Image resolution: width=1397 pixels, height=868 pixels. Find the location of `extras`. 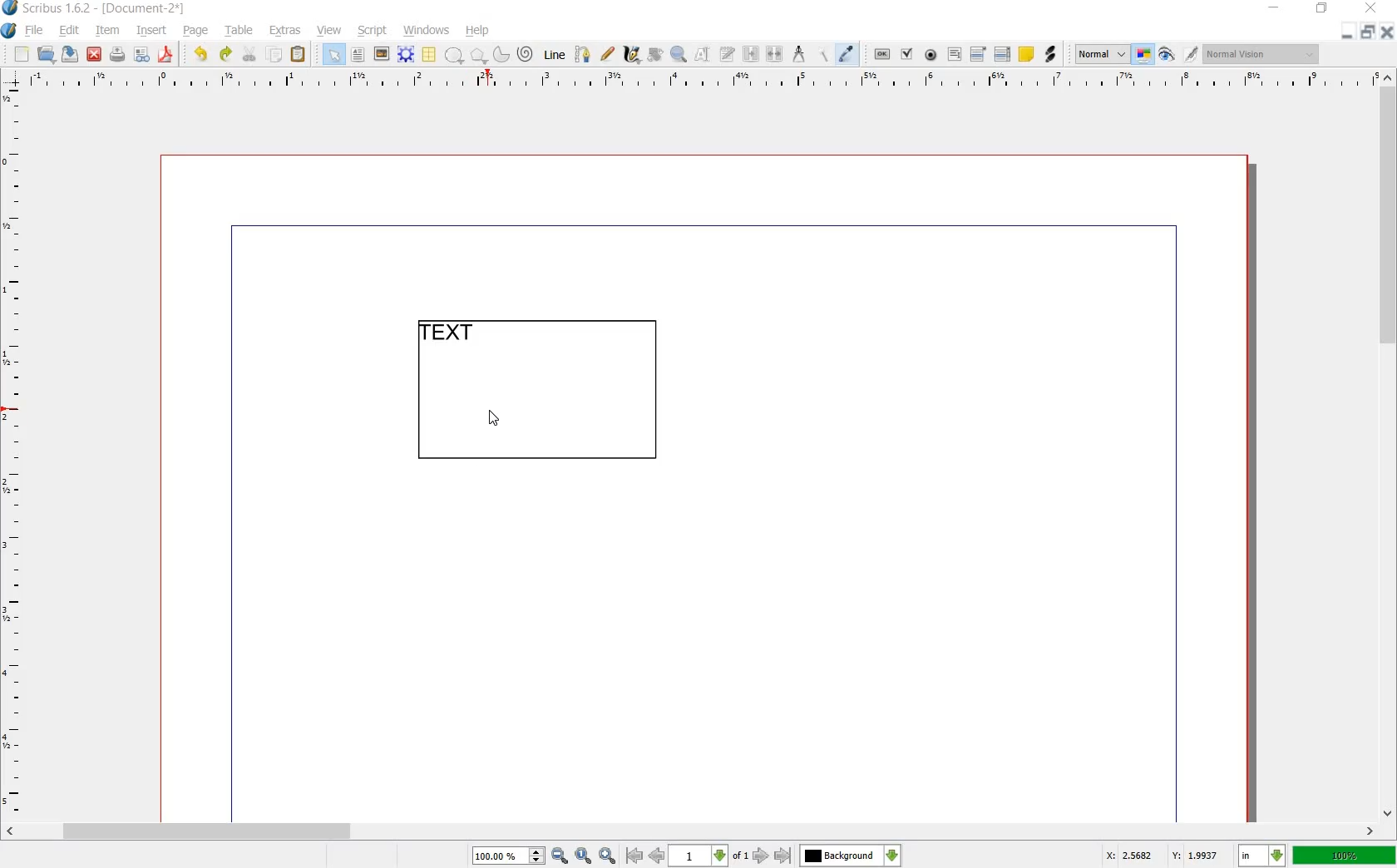

extras is located at coordinates (285, 31).